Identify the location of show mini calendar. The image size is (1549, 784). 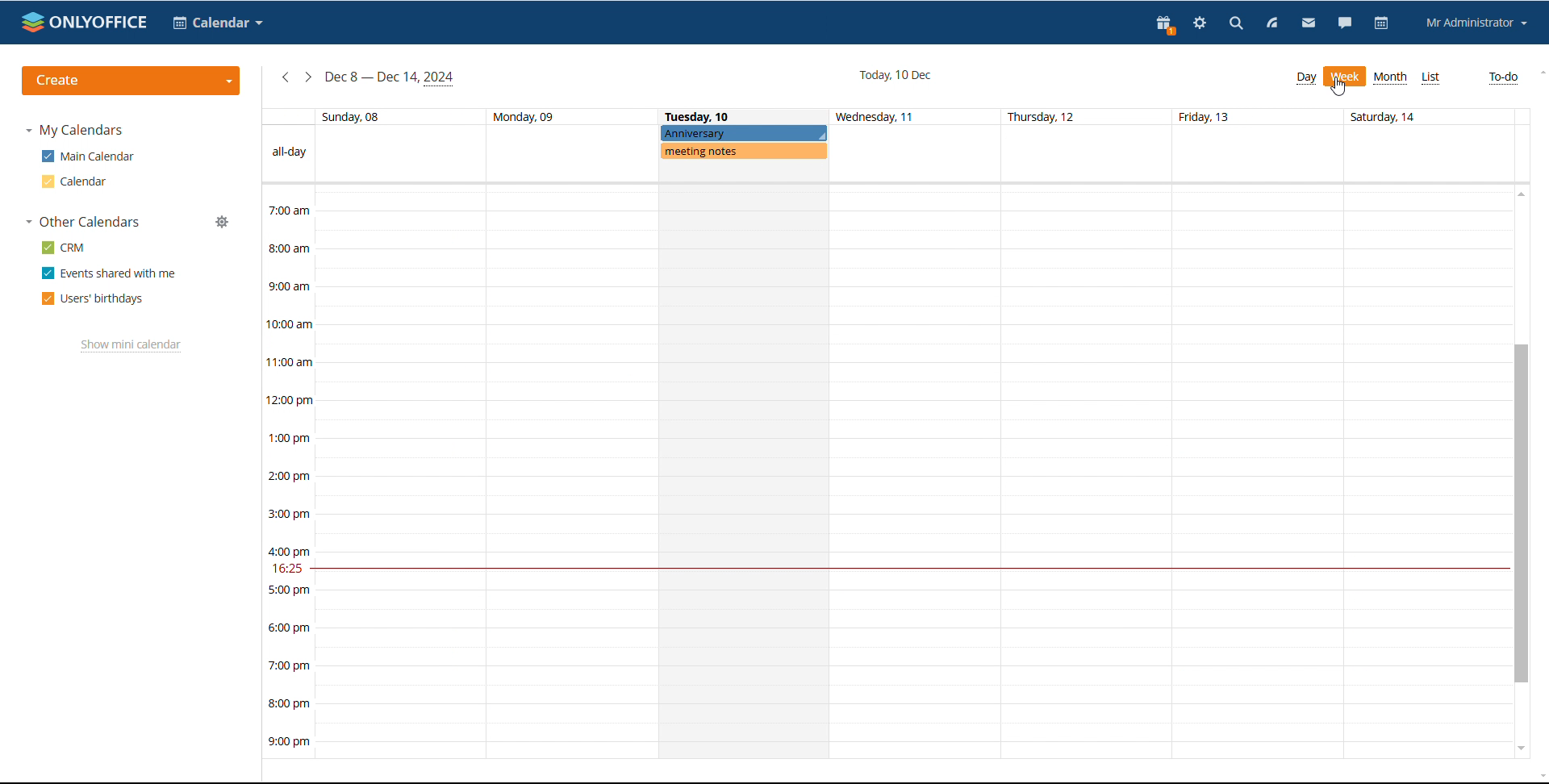
(132, 346).